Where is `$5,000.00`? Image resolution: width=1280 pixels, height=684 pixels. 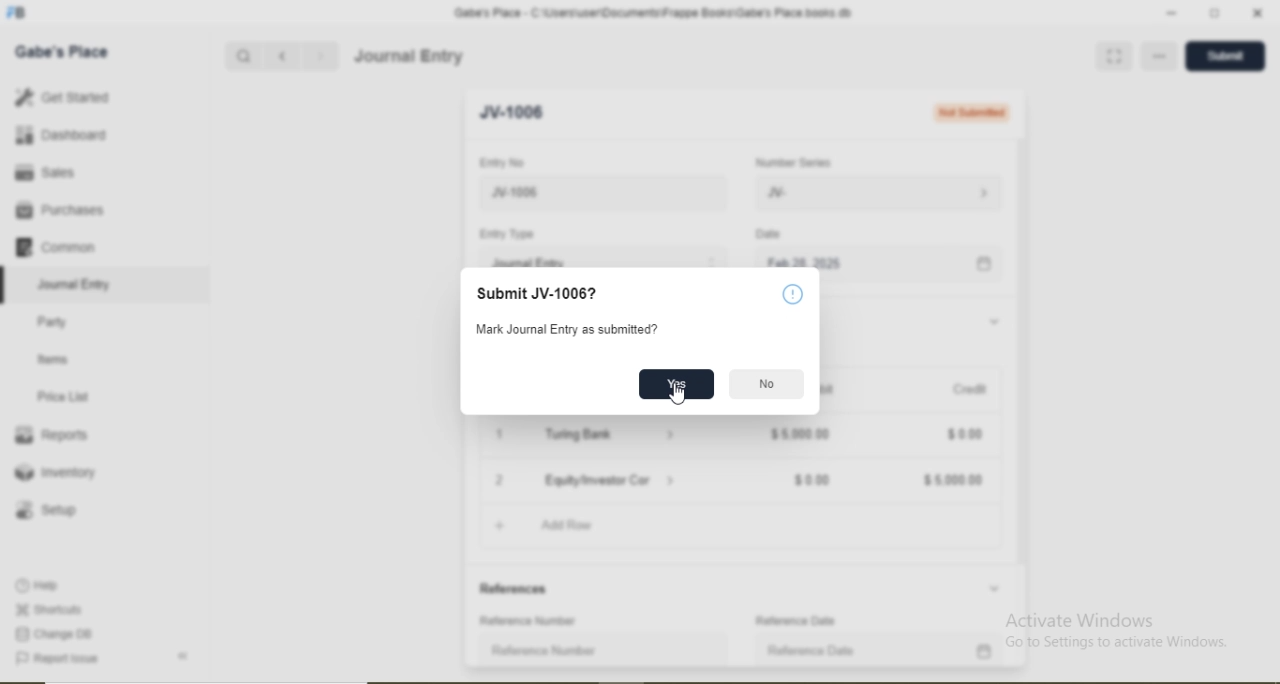
$5,000.00 is located at coordinates (800, 433).